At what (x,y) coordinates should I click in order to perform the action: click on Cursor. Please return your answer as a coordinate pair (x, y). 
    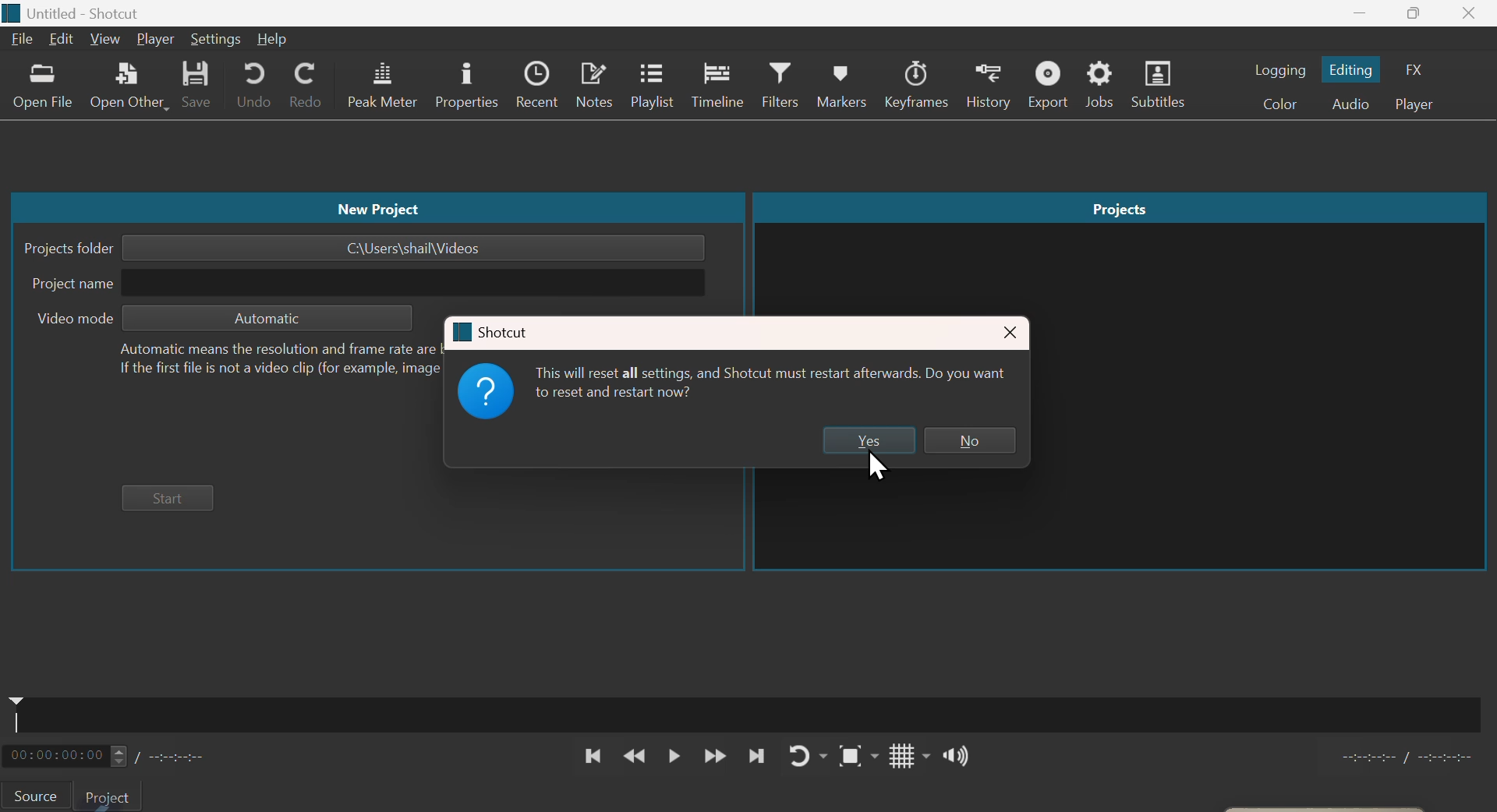
    Looking at the image, I should click on (878, 464).